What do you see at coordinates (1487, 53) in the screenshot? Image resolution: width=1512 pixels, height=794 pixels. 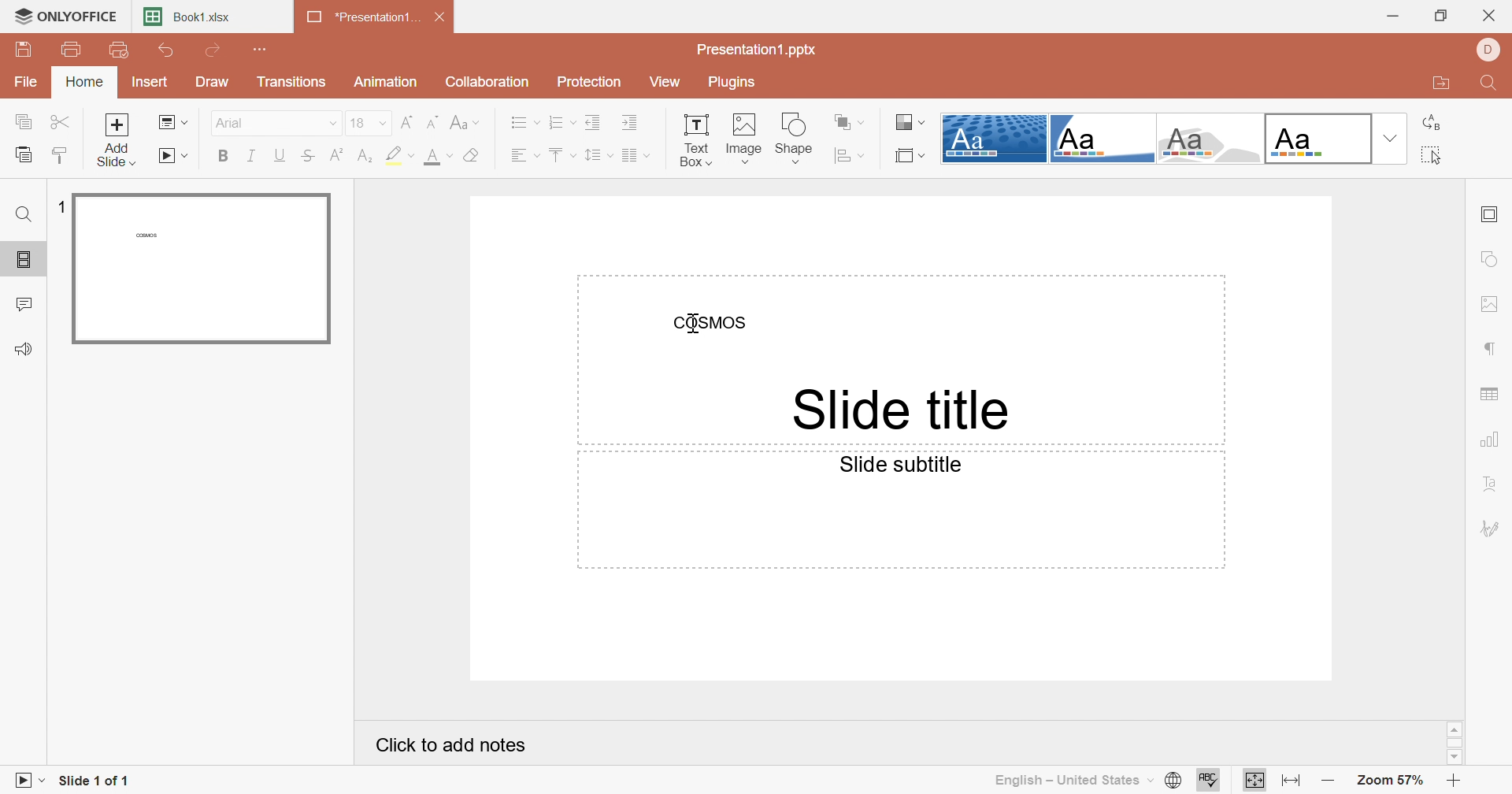 I see `DELL` at bounding box center [1487, 53].